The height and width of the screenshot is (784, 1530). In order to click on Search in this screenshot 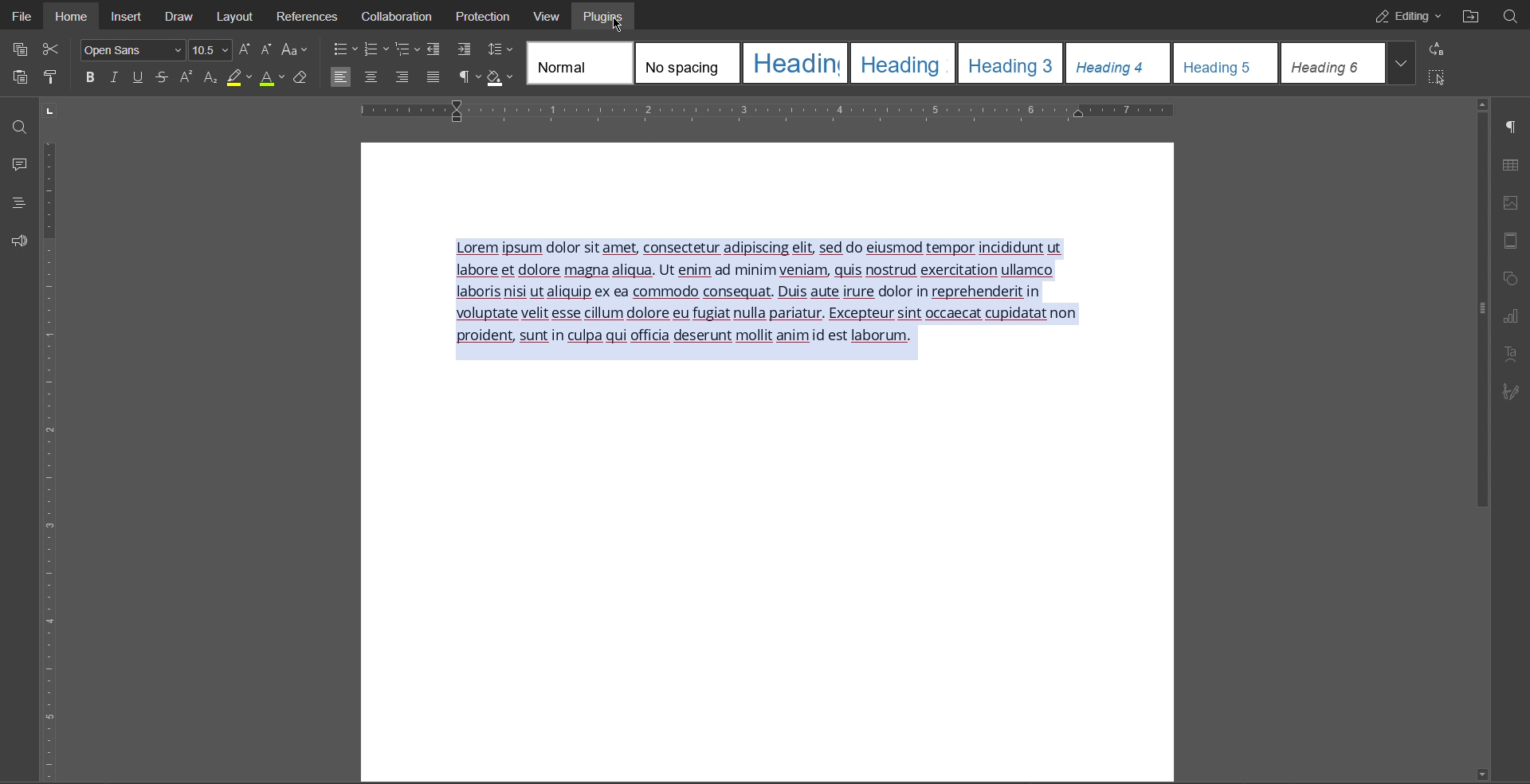, I will do `click(14, 123)`.